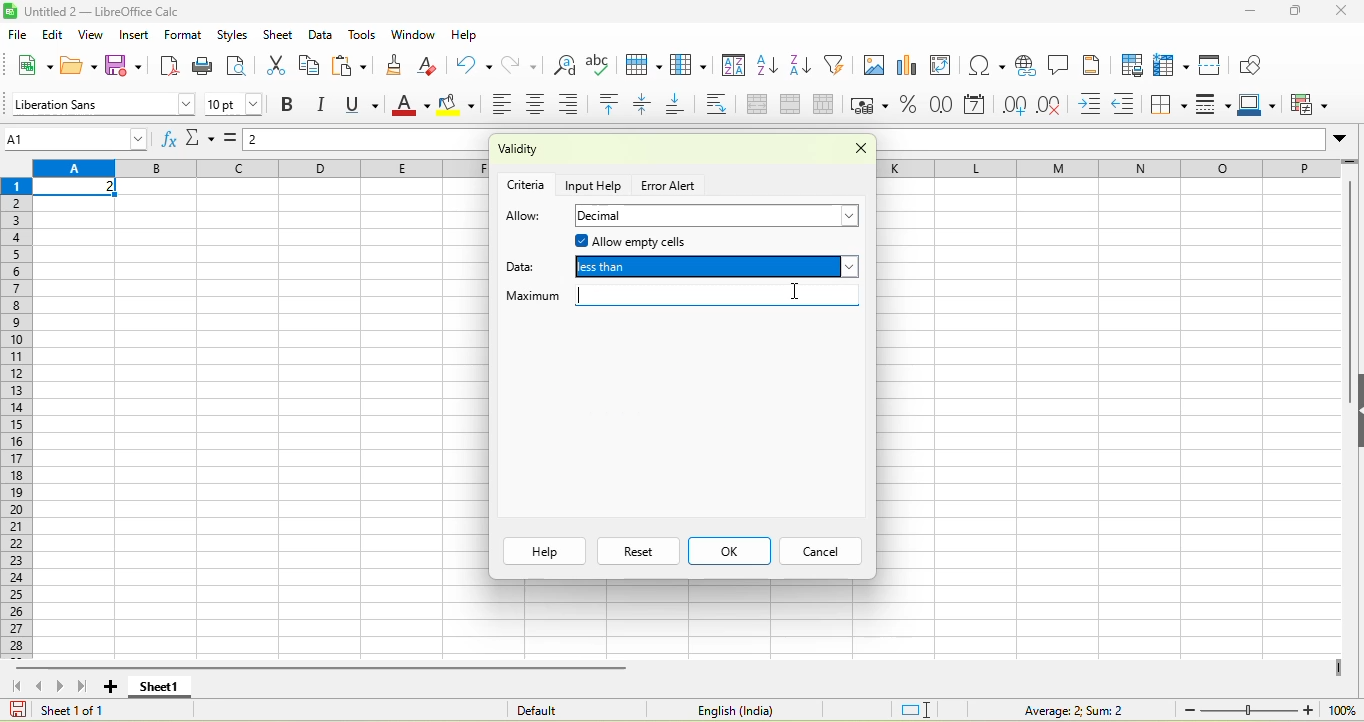 This screenshot has width=1364, height=722. Describe the element at coordinates (234, 143) in the screenshot. I see `formula` at that location.